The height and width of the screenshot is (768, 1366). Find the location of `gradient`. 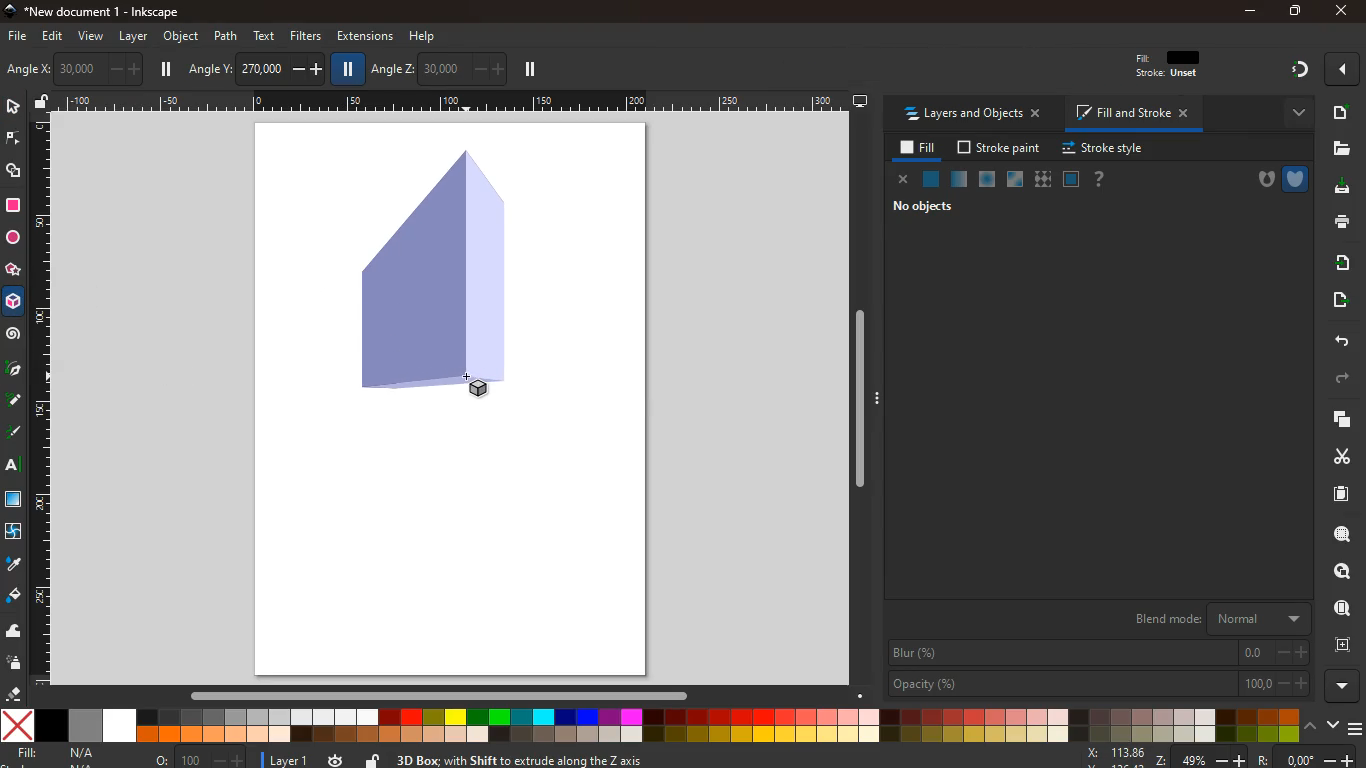

gradient is located at coordinates (1301, 70).